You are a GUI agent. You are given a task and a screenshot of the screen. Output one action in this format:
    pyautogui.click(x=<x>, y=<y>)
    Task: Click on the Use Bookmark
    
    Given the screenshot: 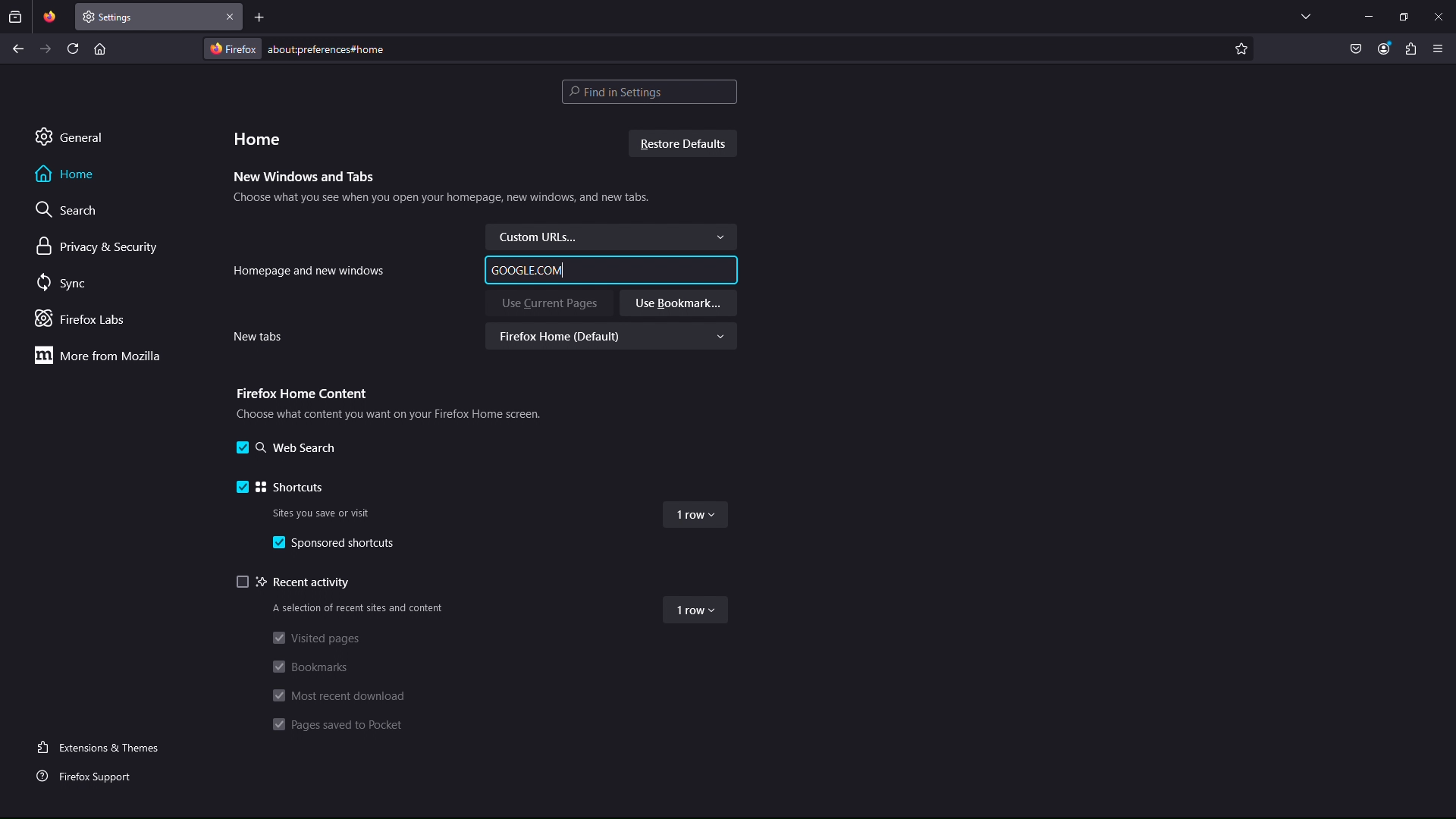 What is the action you would take?
    pyautogui.click(x=678, y=303)
    